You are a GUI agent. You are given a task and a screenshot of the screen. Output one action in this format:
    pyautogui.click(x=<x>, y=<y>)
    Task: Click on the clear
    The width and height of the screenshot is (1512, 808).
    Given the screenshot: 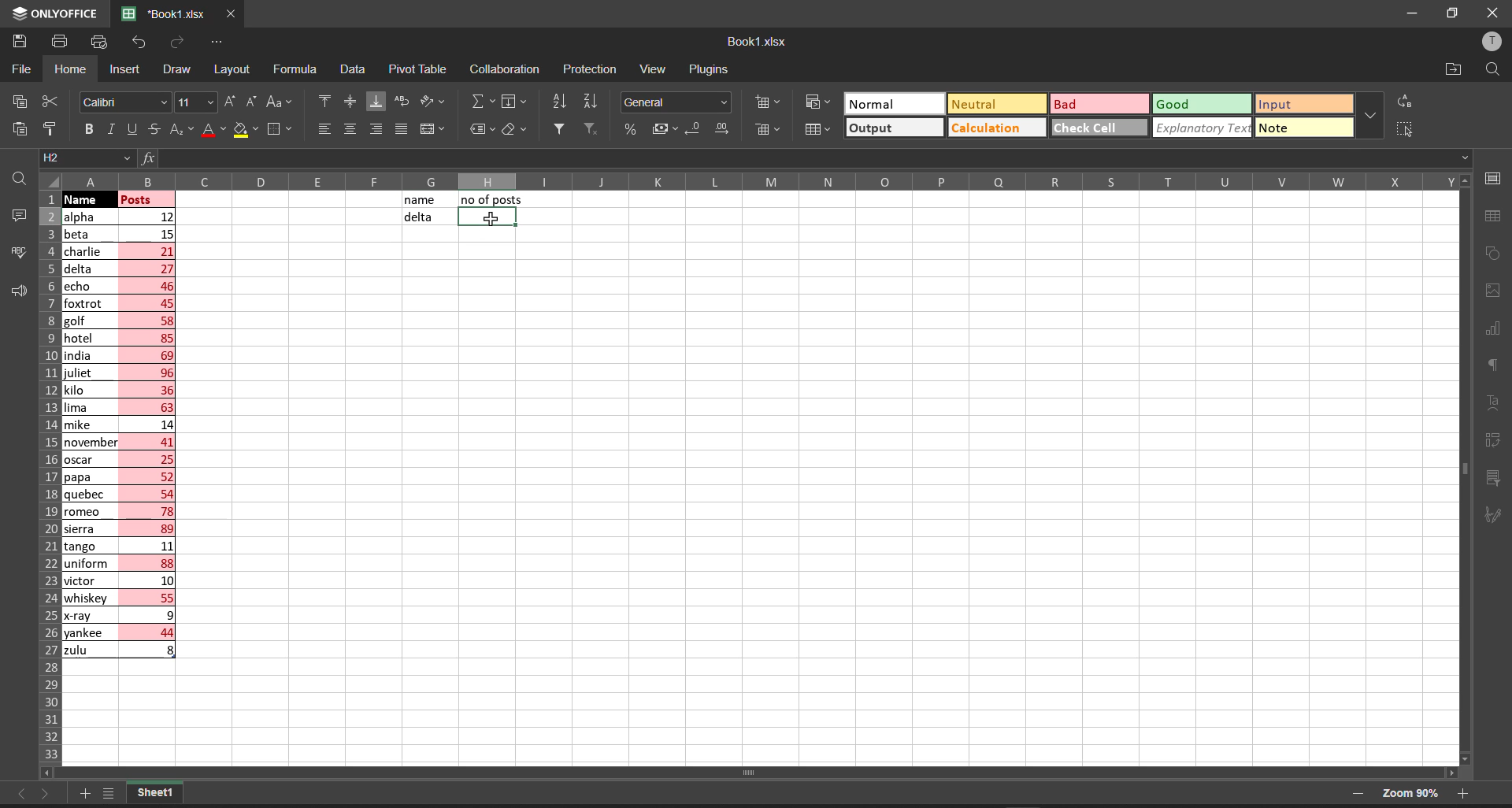 What is the action you would take?
    pyautogui.click(x=515, y=130)
    